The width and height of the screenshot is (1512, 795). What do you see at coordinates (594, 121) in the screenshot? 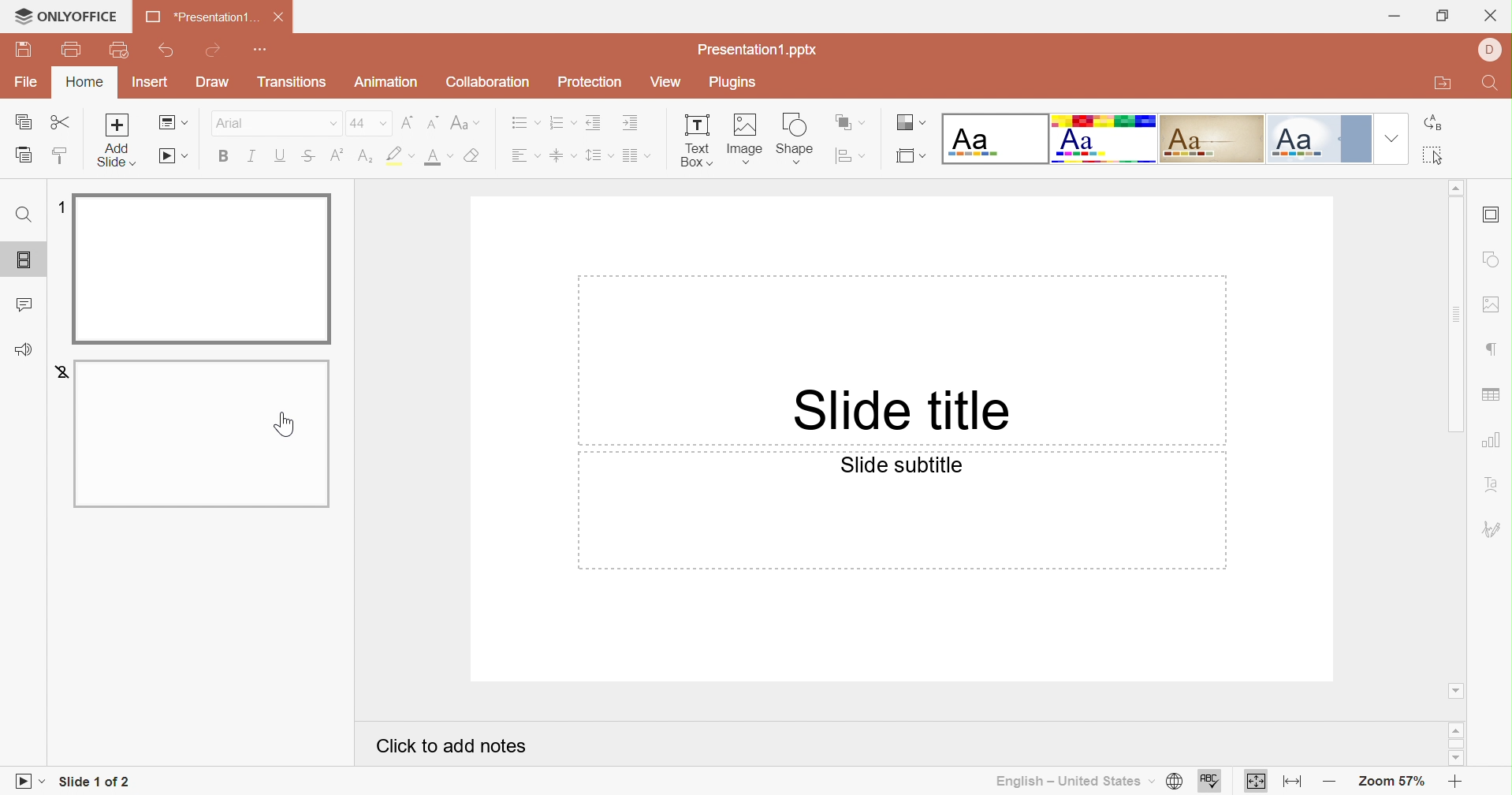
I see `Decrease indent` at bounding box center [594, 121].